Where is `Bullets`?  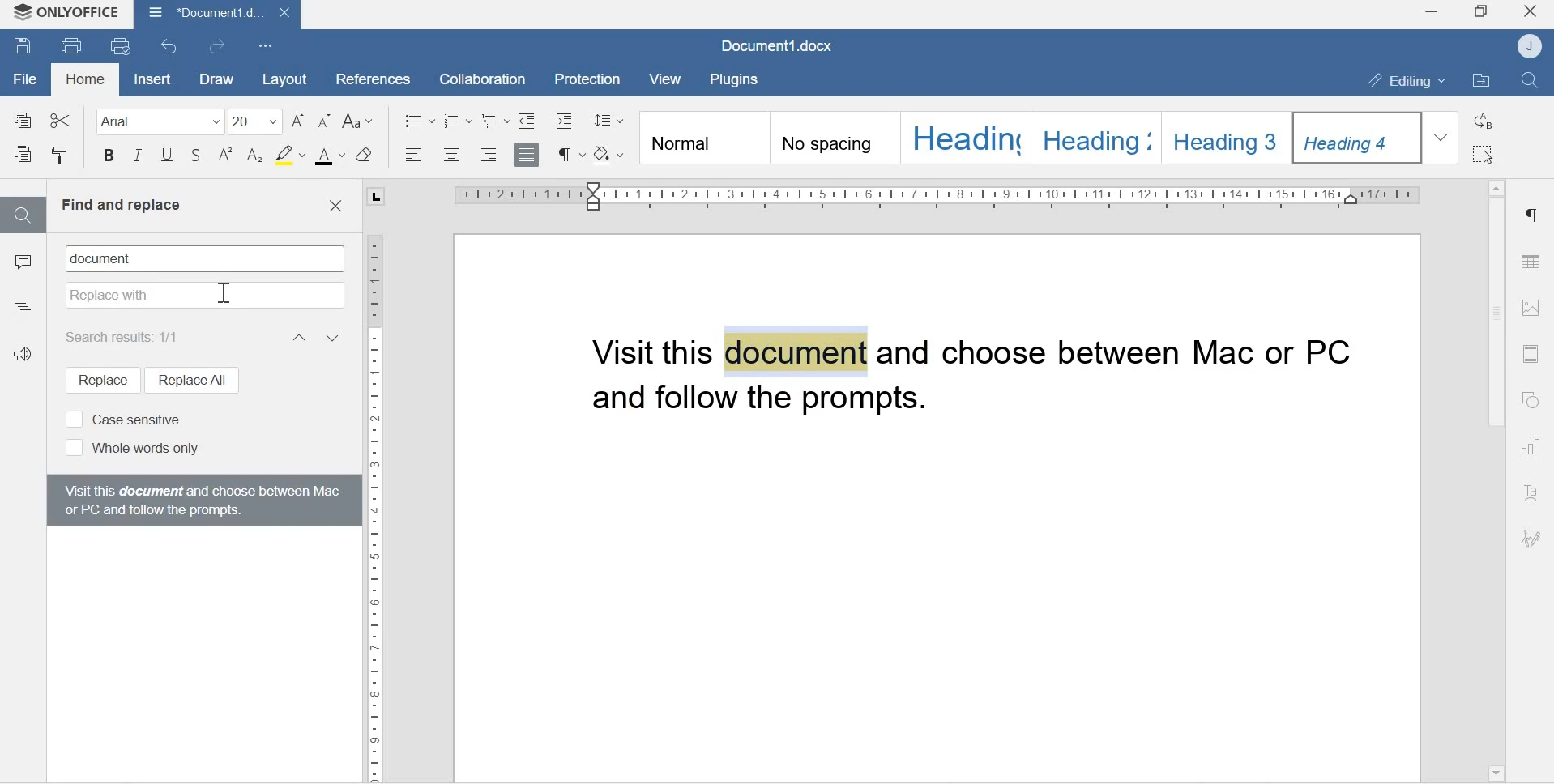
Bullets is located at coordinates (419, 119).